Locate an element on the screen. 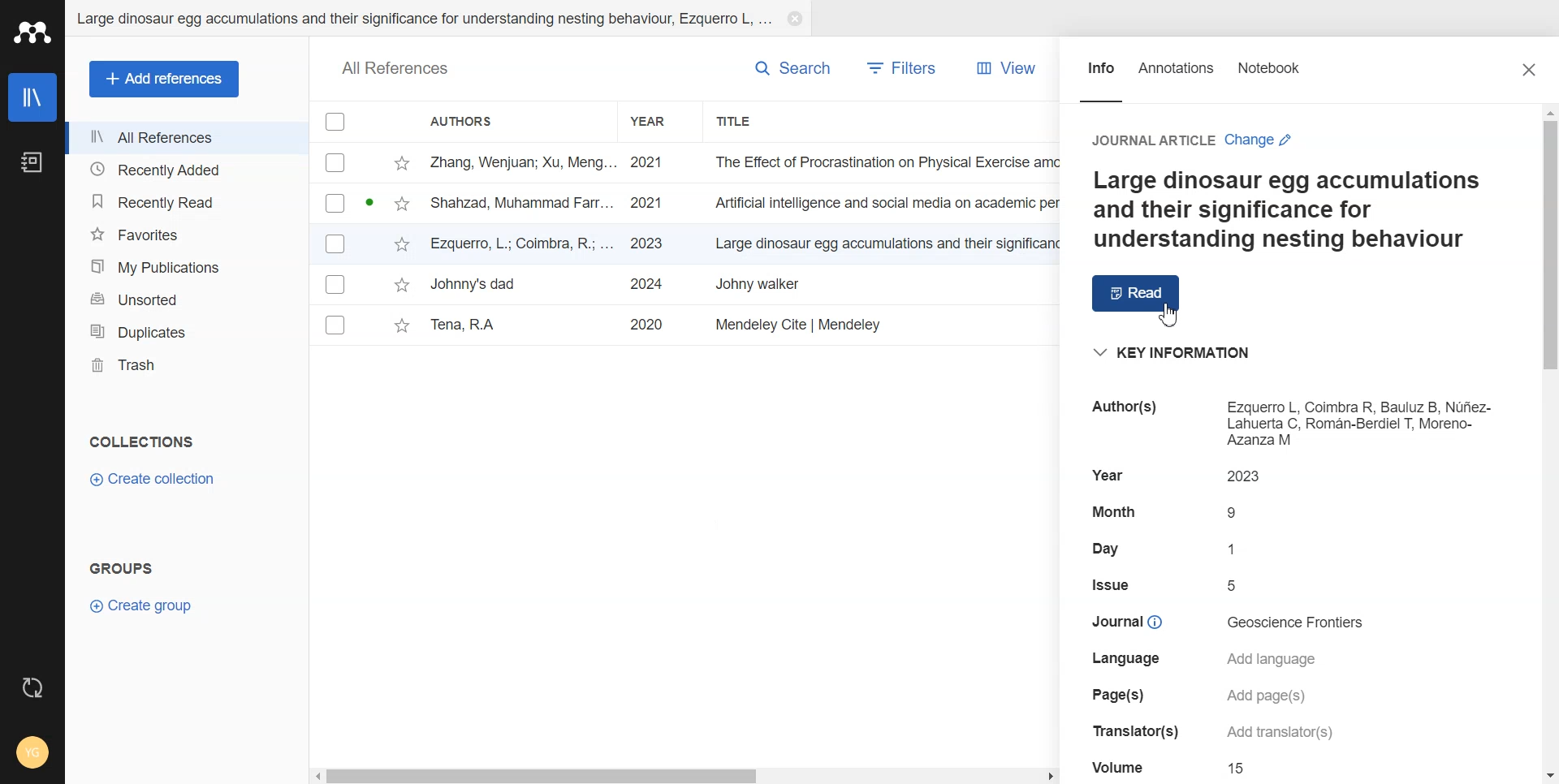 This screenshot has height=784, width=1559. Key Information is located at coordinates (1175, 353).